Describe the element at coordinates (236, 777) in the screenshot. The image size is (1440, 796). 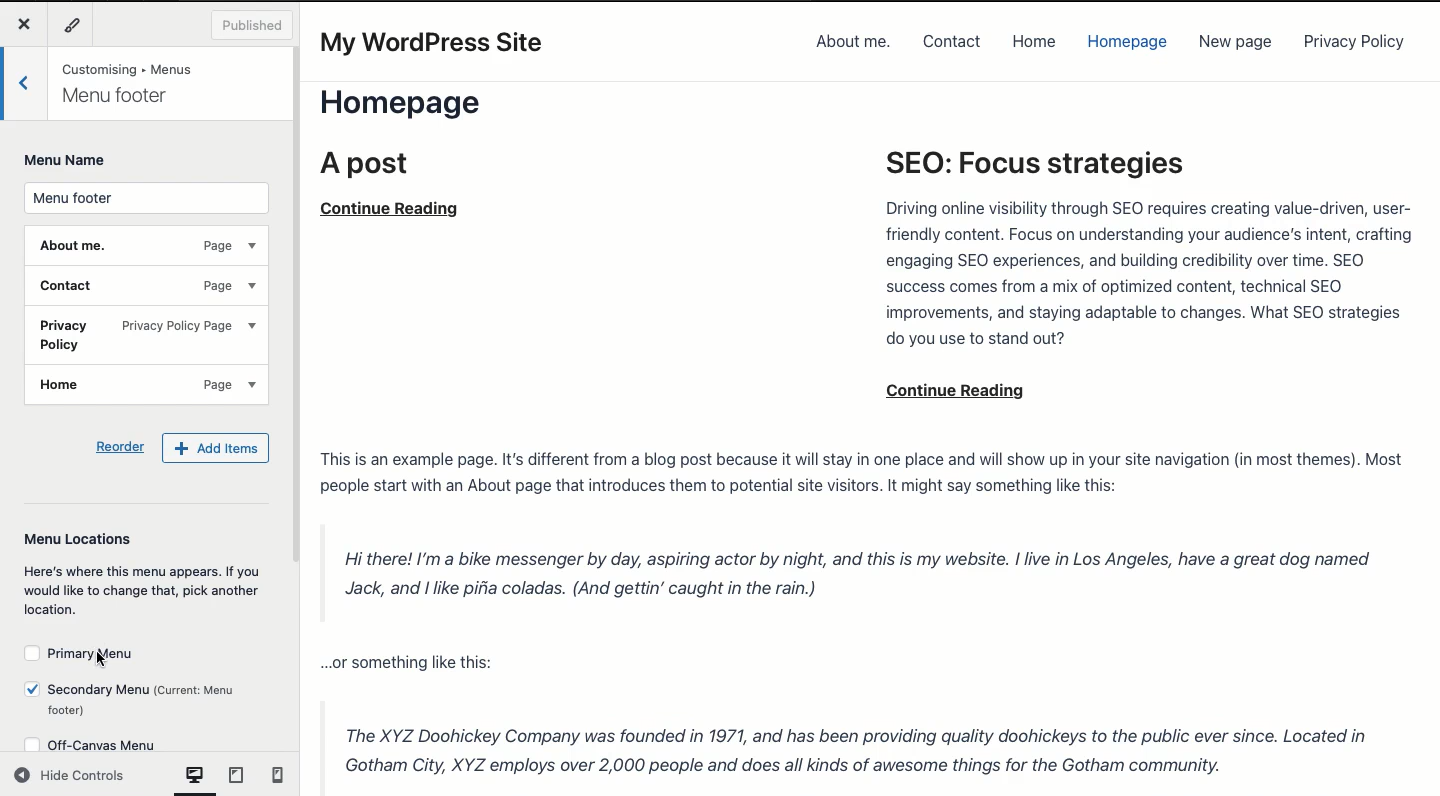
I see `tablet view` at that location.